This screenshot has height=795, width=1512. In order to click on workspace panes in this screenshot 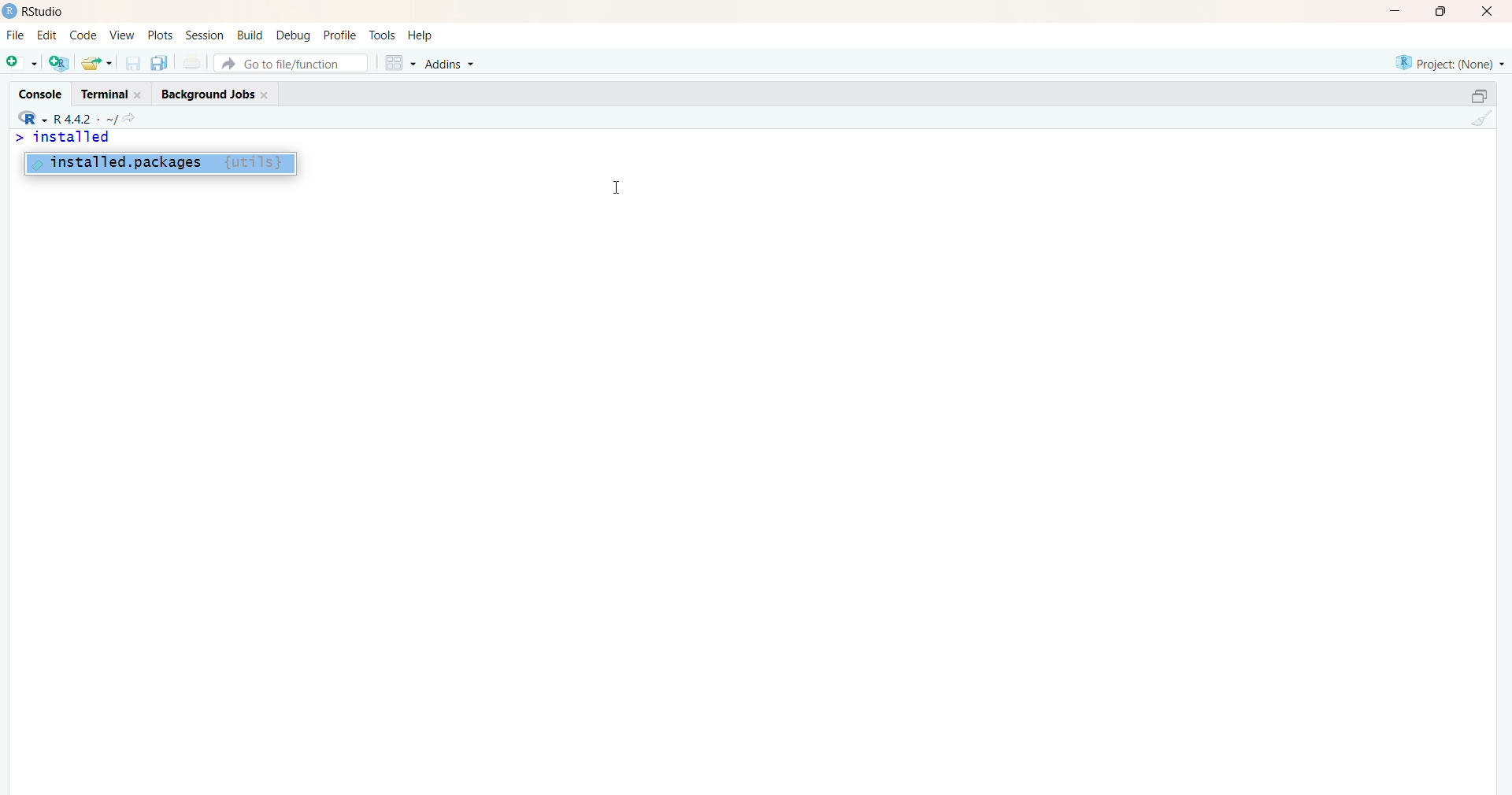, I will do `click(399, 65)`.